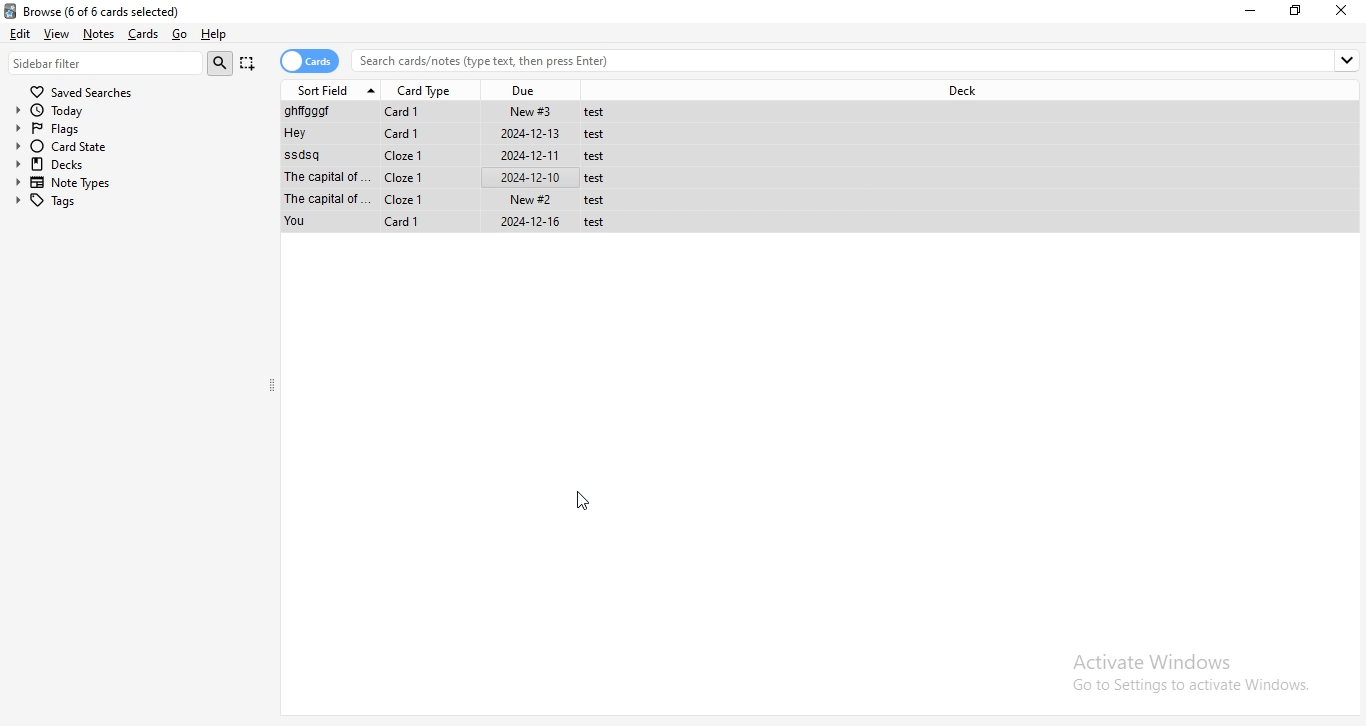 The height and width of the screenshot is (726, 1366). Describe the element at coordinates (134, 164) in the screenshot. I see `decks` at that location.